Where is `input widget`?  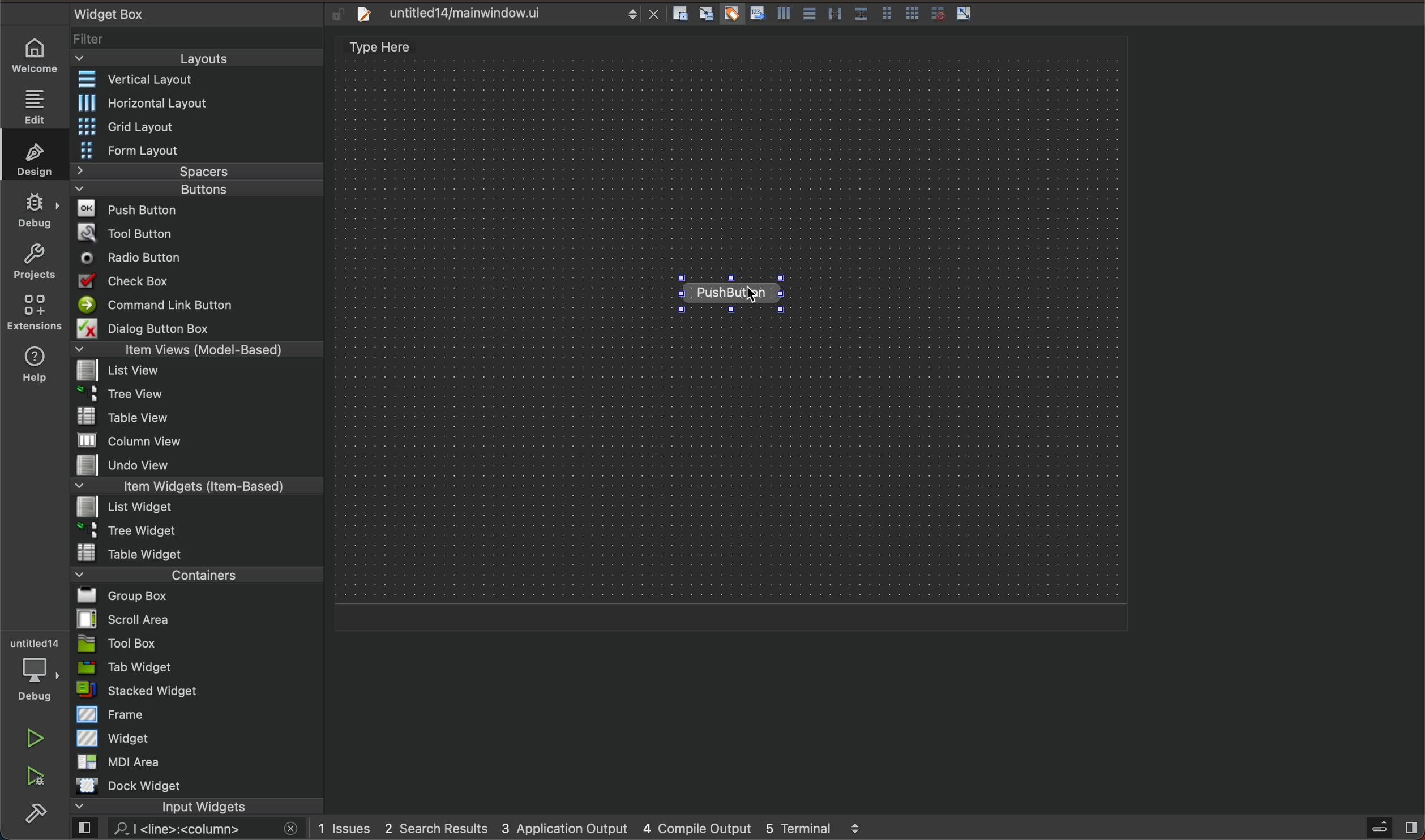 input widget is located at coordinates (188, 807).